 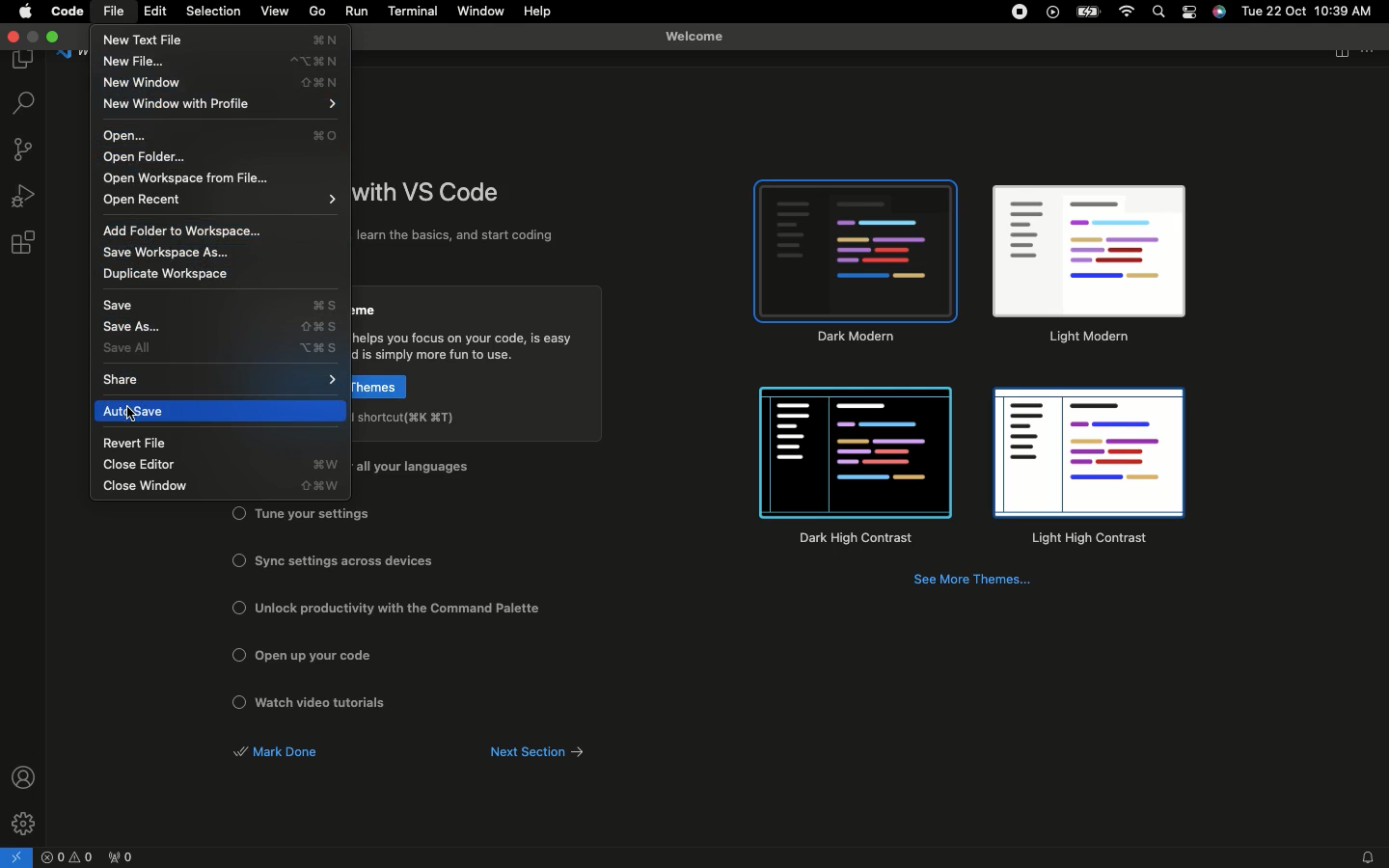 What do you see at coordinates (319, 13) in the screenshot?
I see `Go` at bounding box center [319, 13].